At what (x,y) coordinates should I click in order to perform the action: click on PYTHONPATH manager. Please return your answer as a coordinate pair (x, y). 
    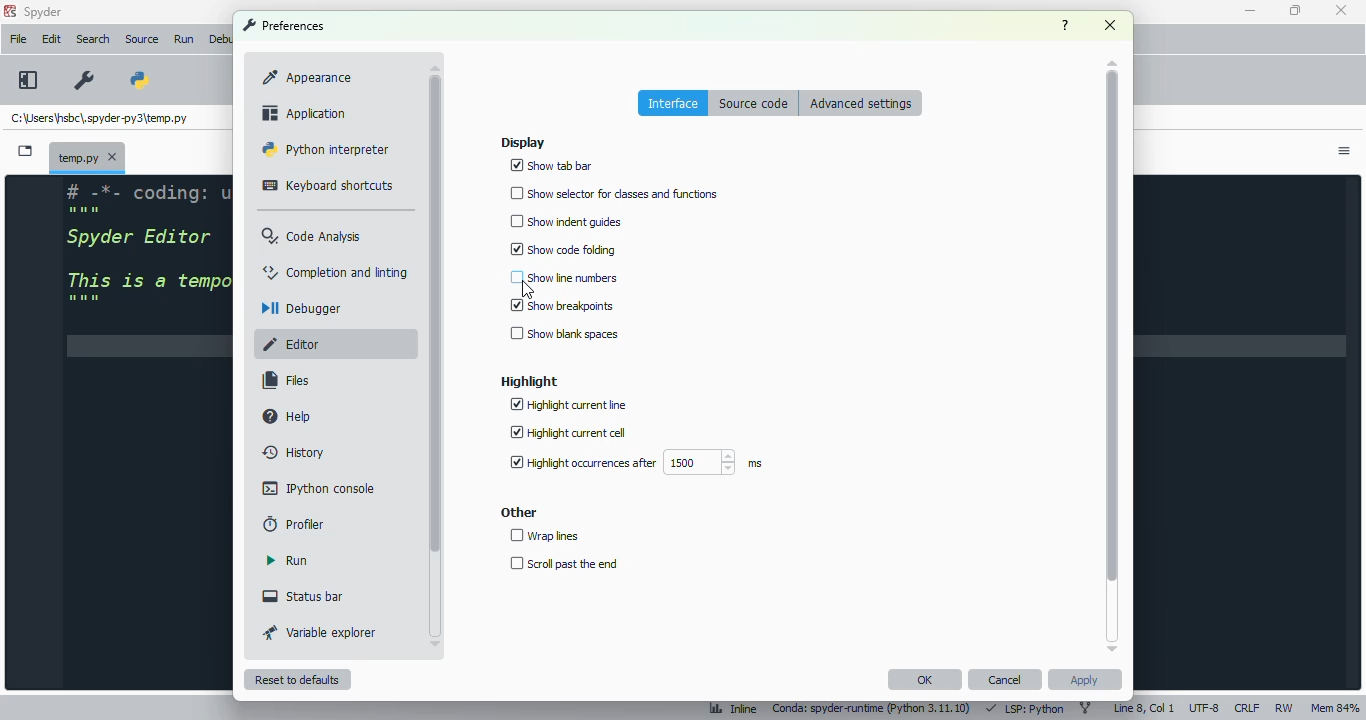
    Looking at the image, I should click on (148, 73).